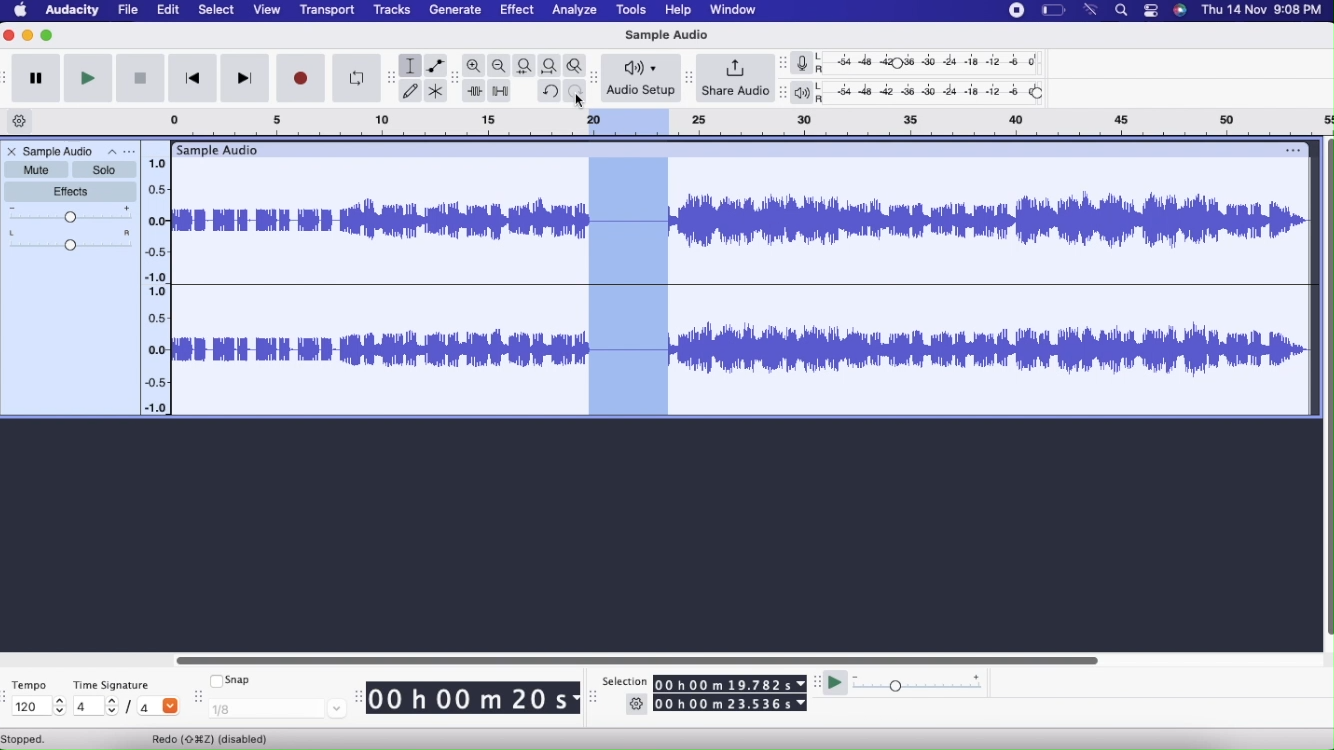 The height and width of the screenshot is (750, 1334). Describe the element at coordinates (637, 704) in the screenshot. I see `Settings` at that location.